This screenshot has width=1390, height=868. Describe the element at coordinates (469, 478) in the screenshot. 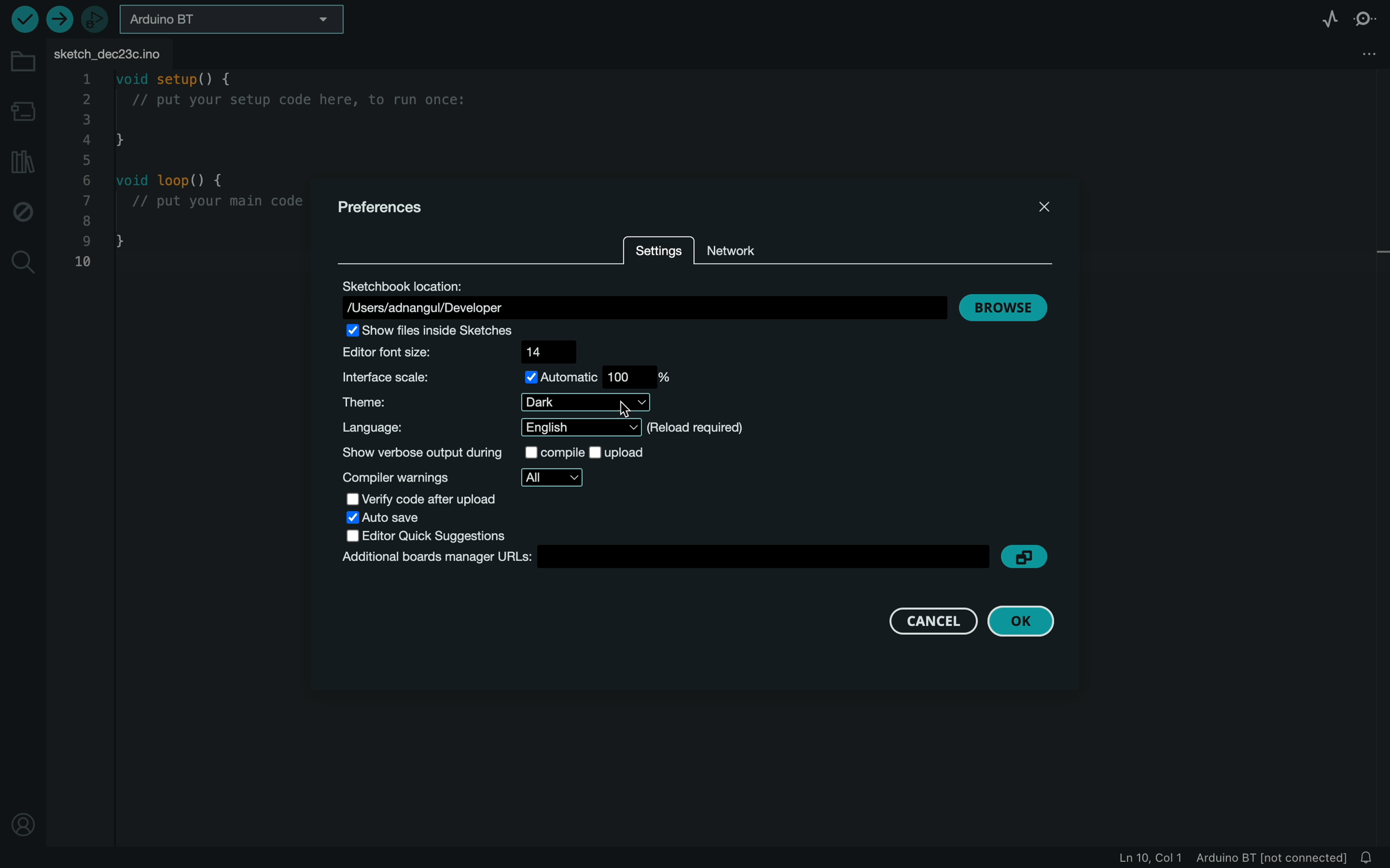

I see `compiler` at that location.